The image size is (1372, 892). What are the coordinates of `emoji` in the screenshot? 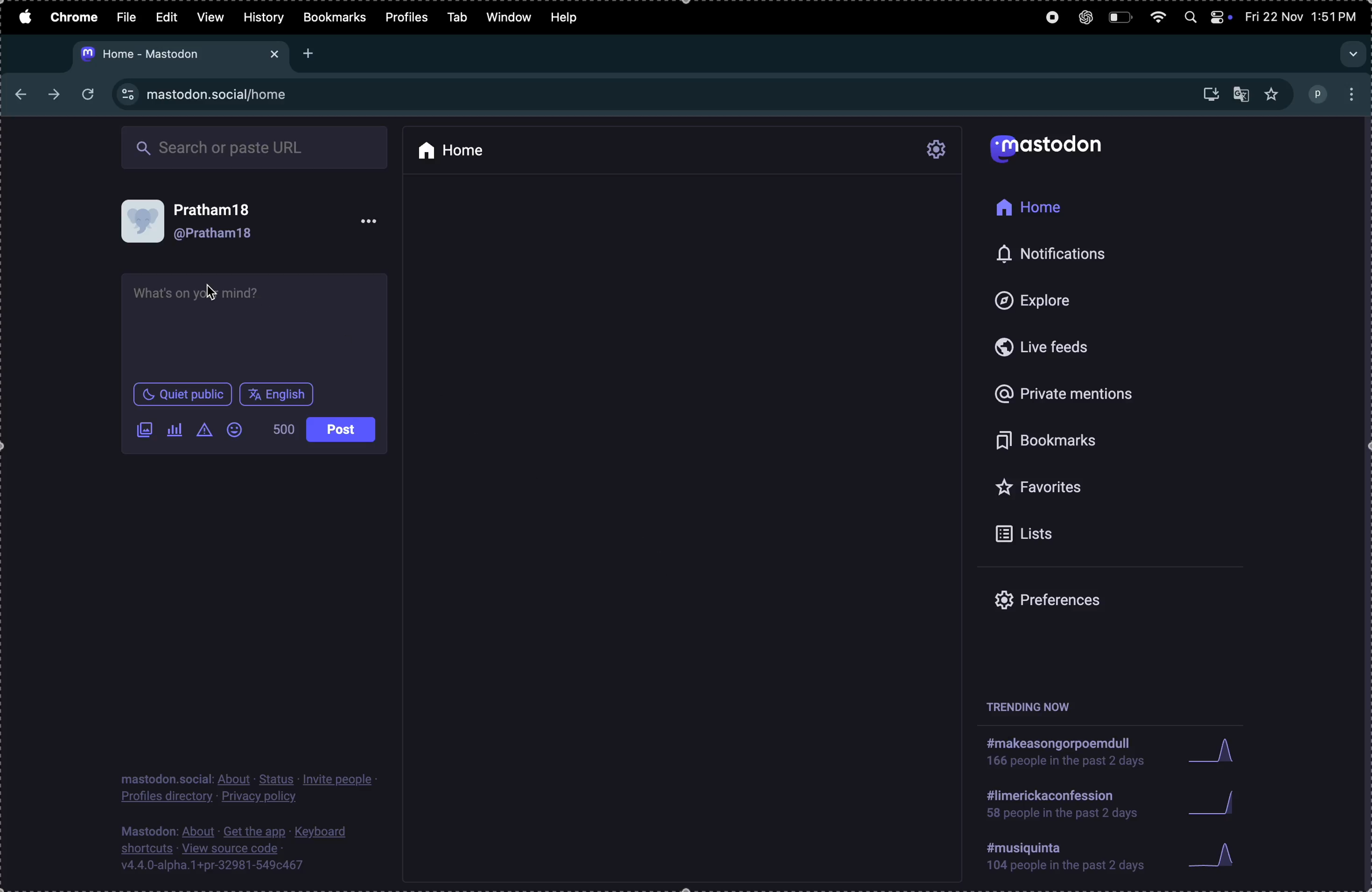 It's located at (239, 430).